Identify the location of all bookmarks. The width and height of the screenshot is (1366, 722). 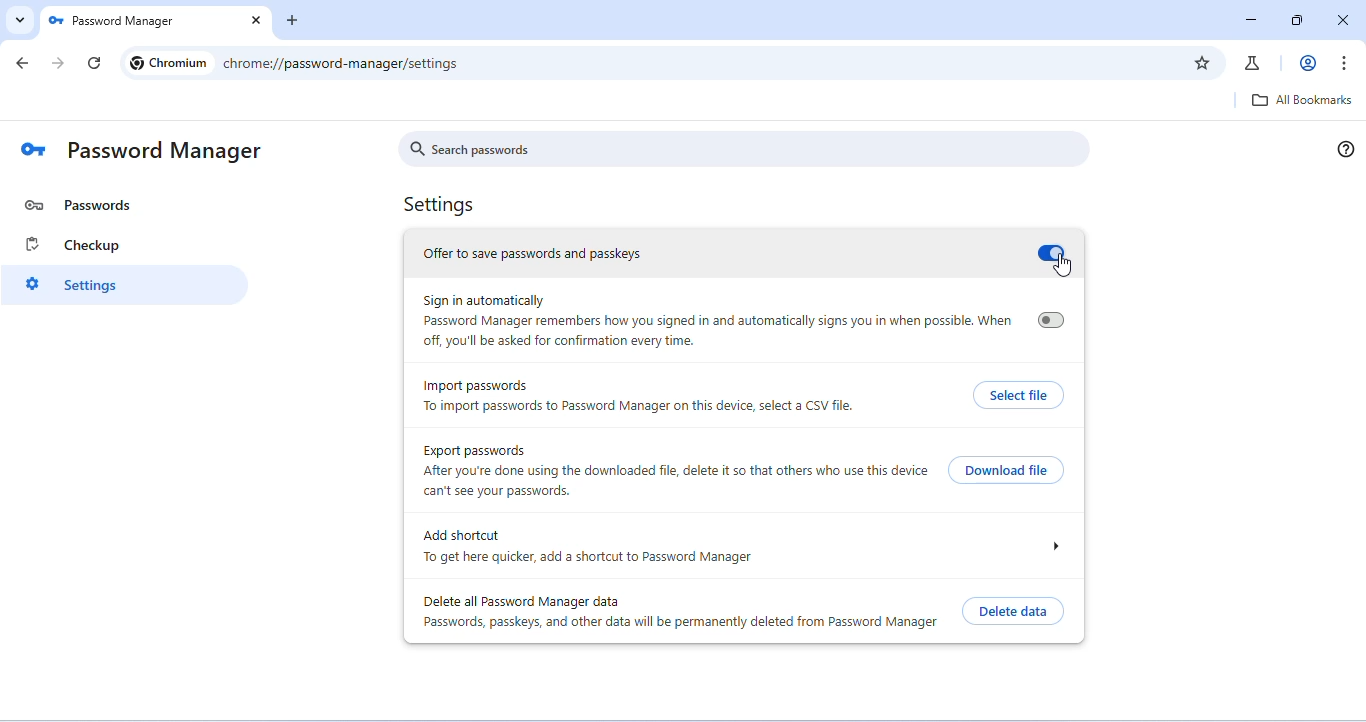
(1305, 101).